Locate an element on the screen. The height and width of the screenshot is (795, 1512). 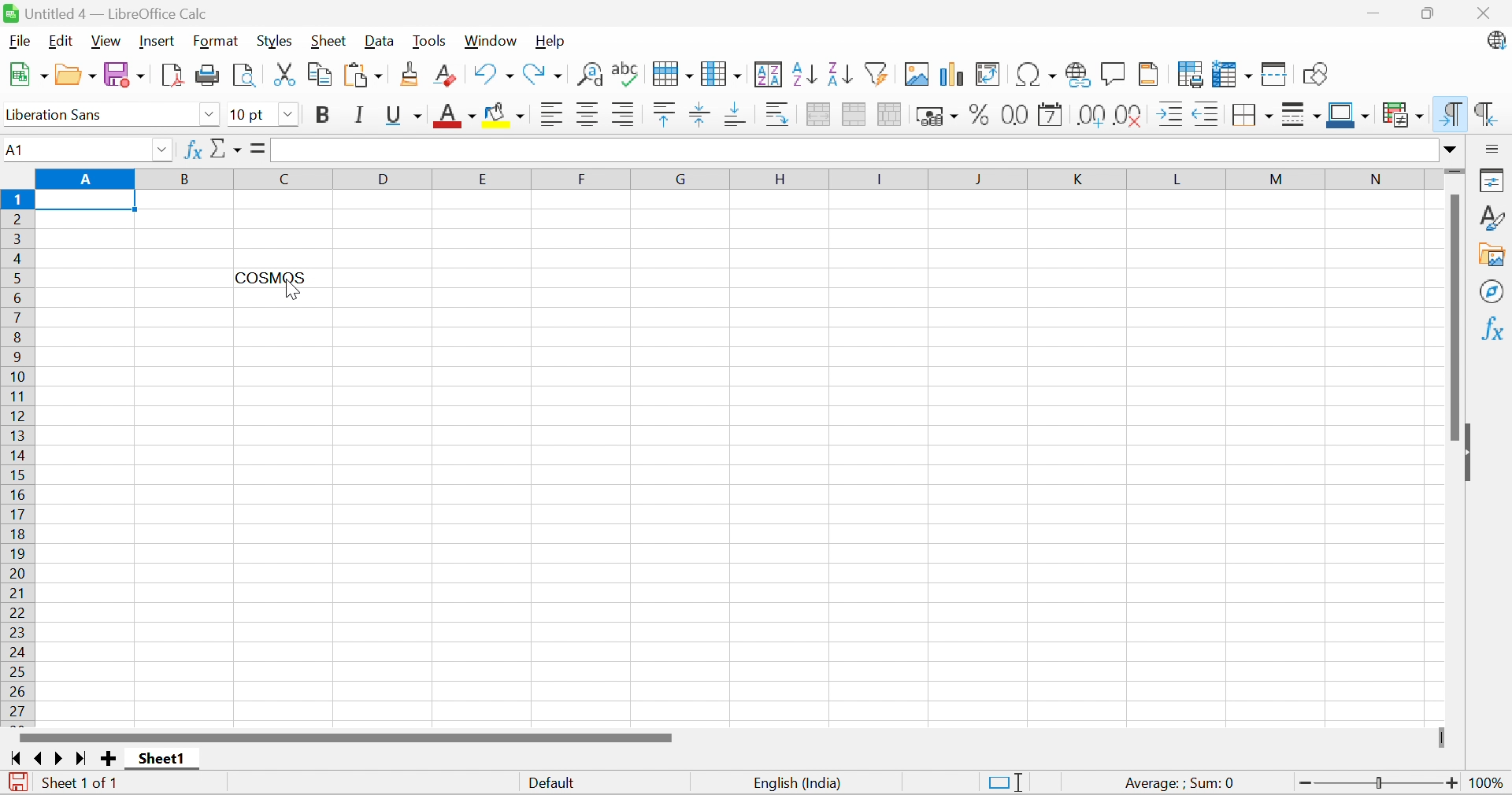
Left-To-Right is located at coordinates (1452, 114).